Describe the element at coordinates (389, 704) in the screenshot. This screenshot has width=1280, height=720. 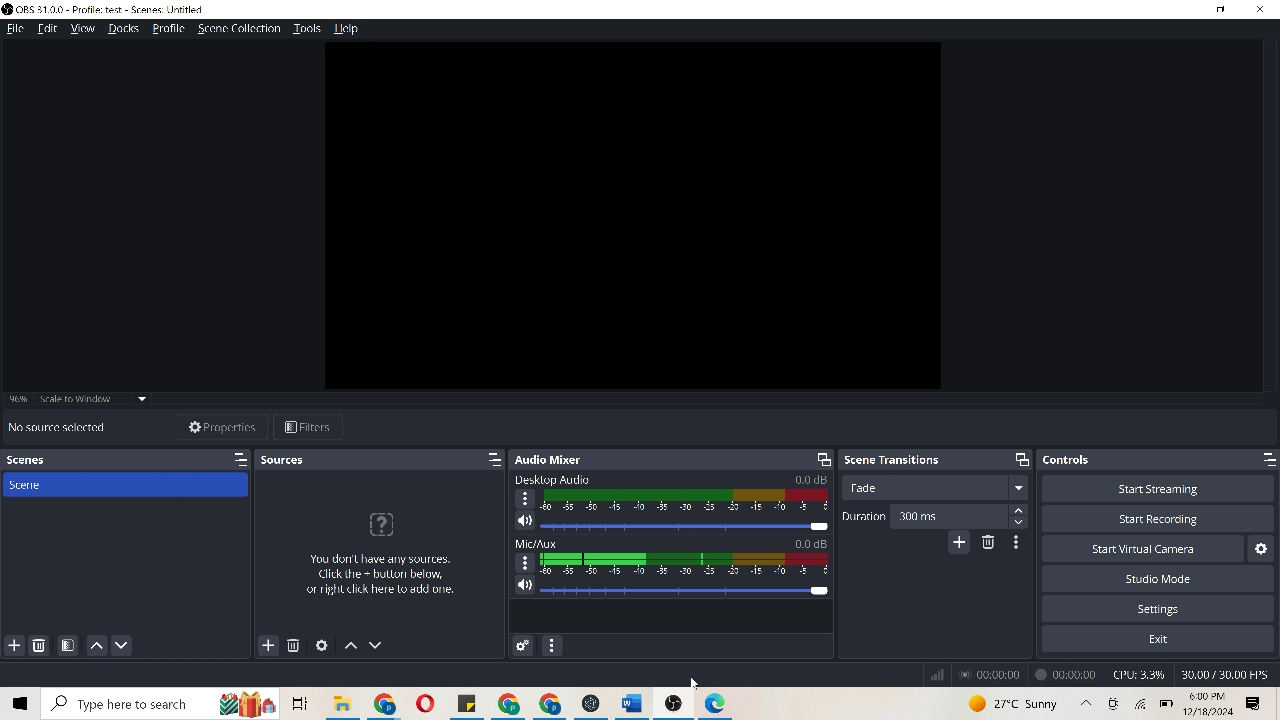
I see `chrome` at that location.